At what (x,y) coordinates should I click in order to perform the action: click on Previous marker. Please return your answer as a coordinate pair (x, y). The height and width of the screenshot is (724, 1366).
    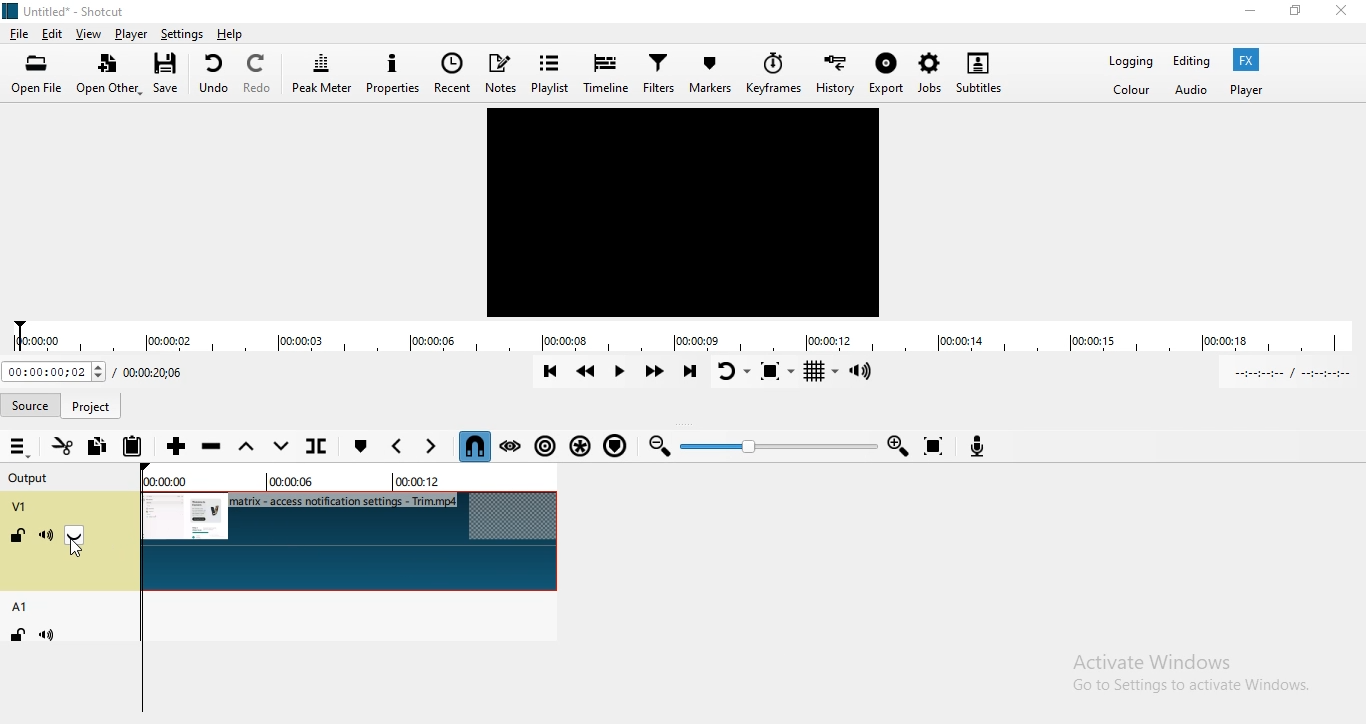
    Looking at the image, I should click on (397, 447).